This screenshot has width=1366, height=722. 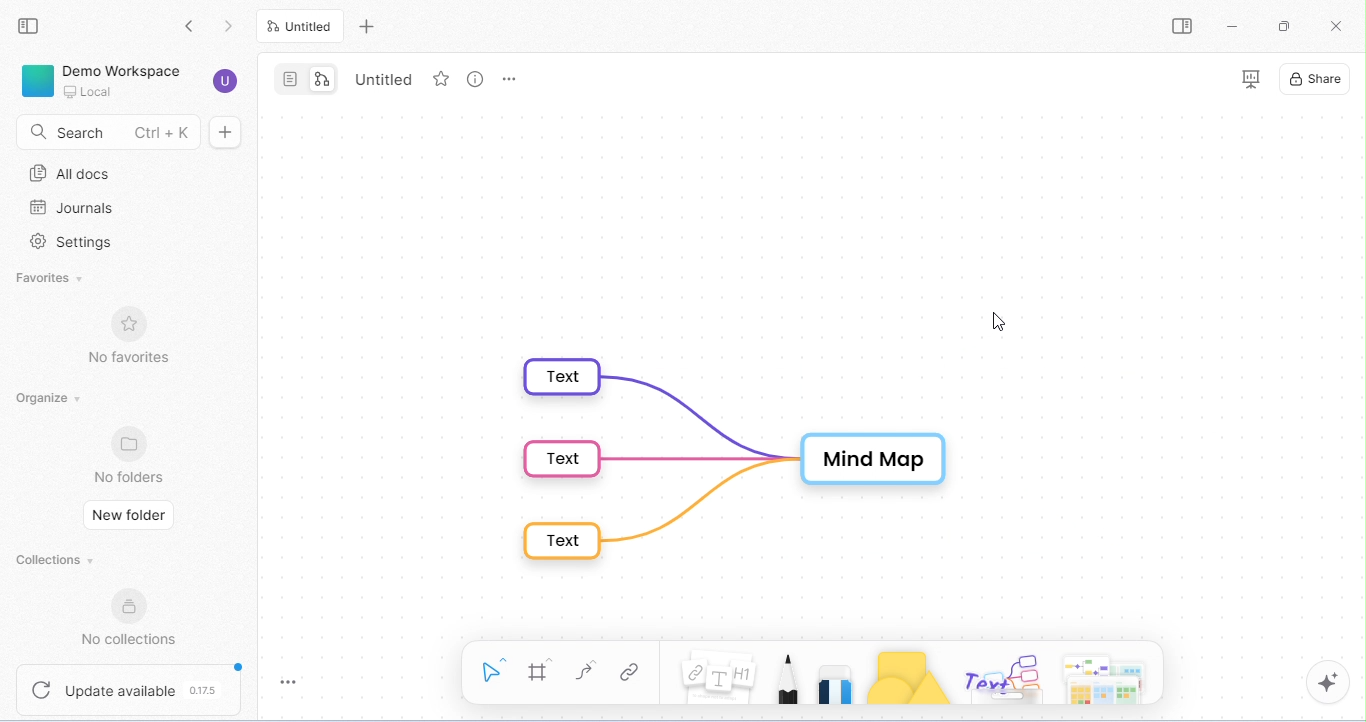 I want to click on shapes, so click(x=907, y=678).